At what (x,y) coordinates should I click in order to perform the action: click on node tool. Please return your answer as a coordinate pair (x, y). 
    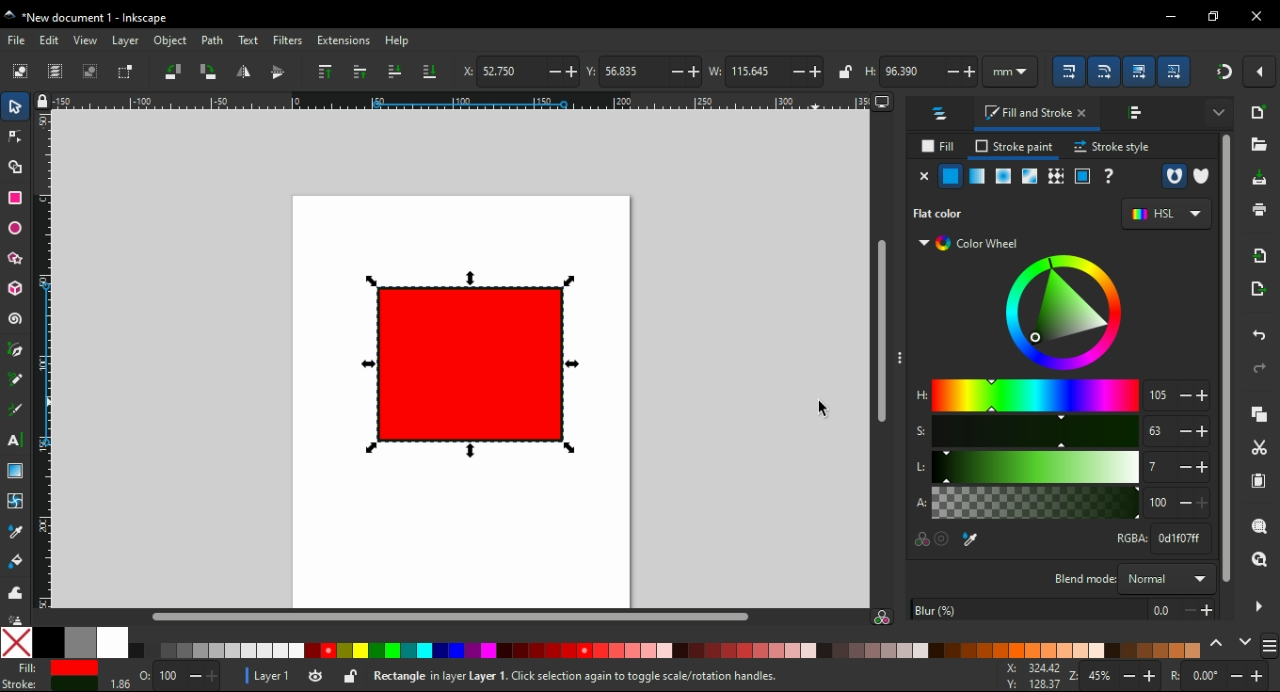
    Looking at the image, I should click on (16, 135).